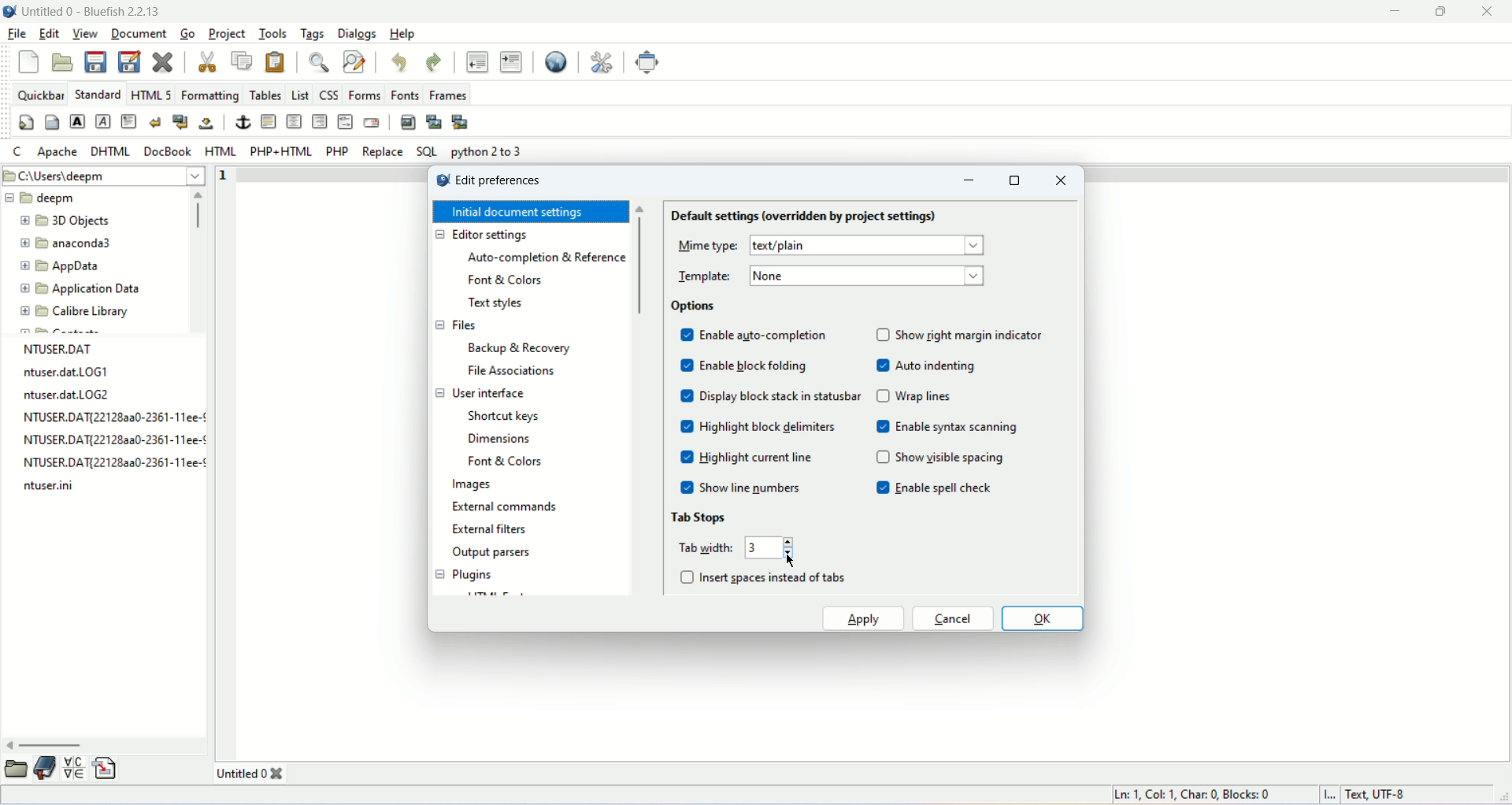  What do you see at coordinates (318, 61) in the screenshot?
I see `show find bar` at bounding box center [318, 61].